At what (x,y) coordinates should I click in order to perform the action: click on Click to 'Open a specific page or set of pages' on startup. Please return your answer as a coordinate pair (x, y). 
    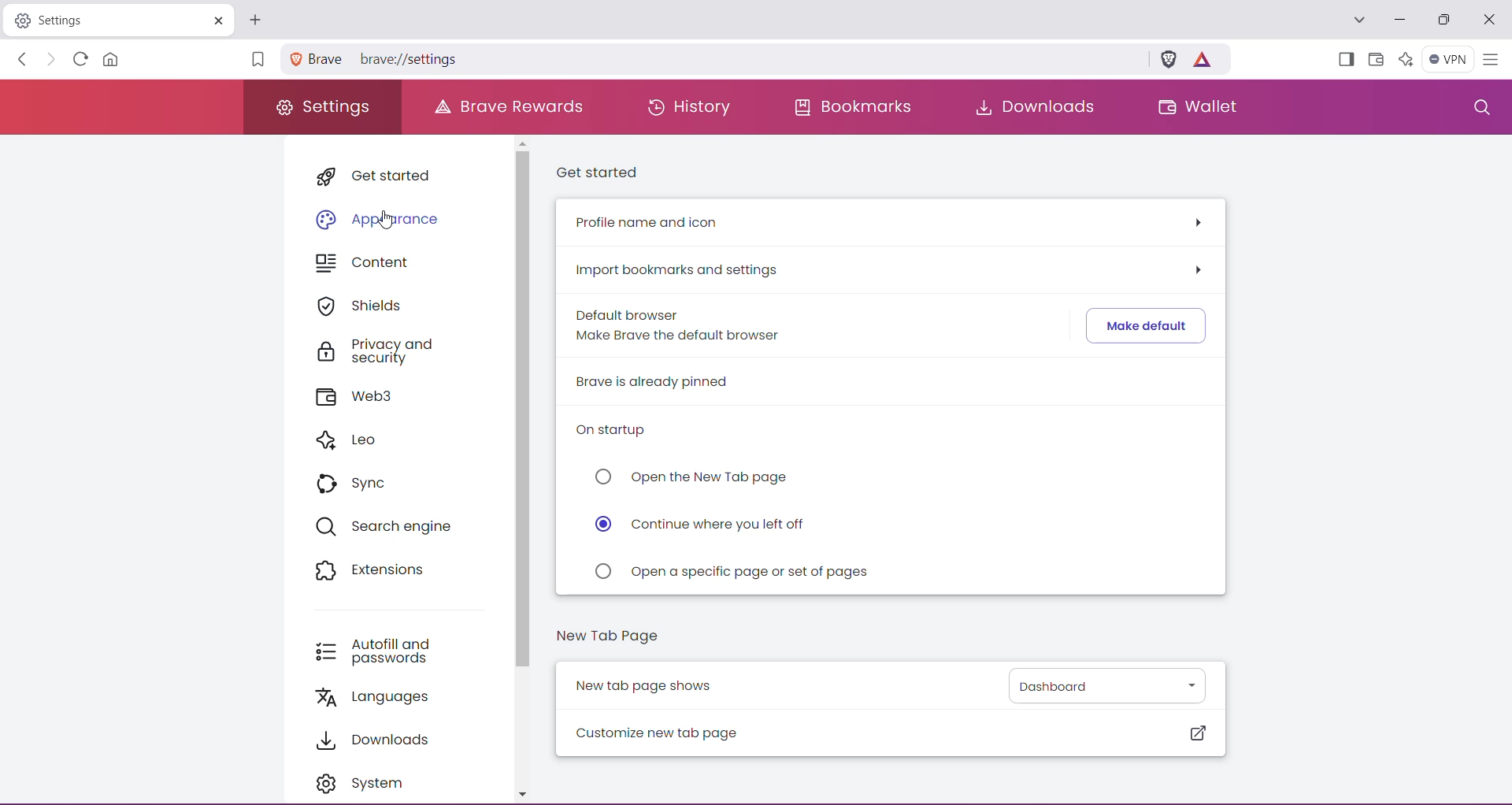
    Looking at the image, I should click on (741, 569).